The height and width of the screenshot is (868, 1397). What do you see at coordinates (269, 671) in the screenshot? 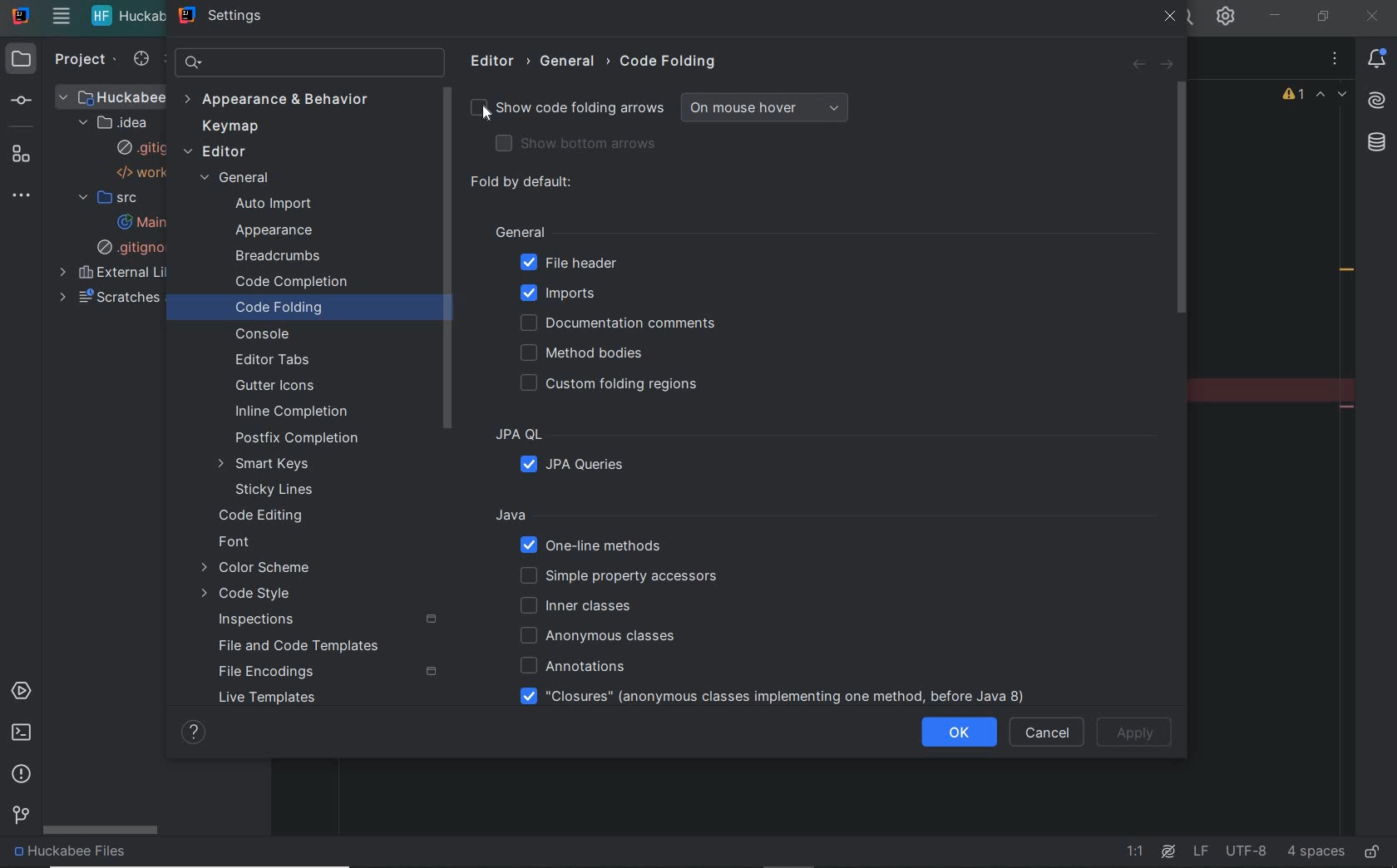
I see `file encodings` at bounding box center [269, 671].